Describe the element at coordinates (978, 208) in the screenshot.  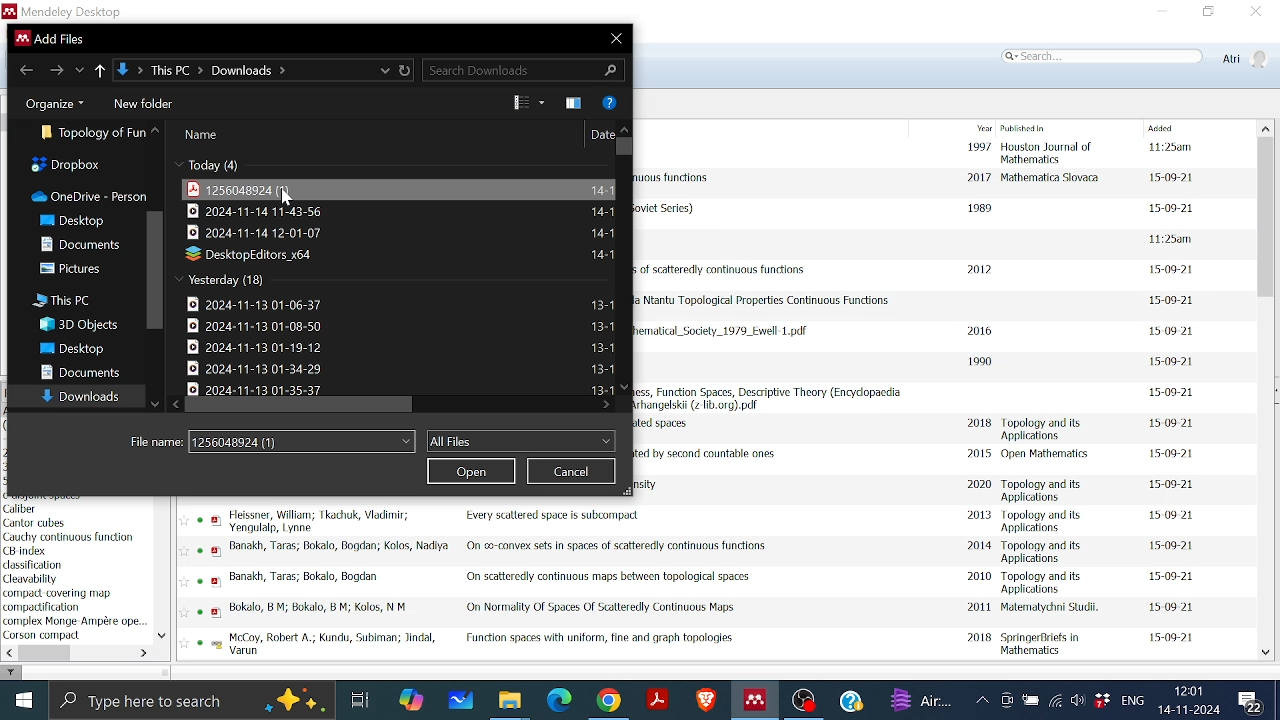
I see `1989` at that location.